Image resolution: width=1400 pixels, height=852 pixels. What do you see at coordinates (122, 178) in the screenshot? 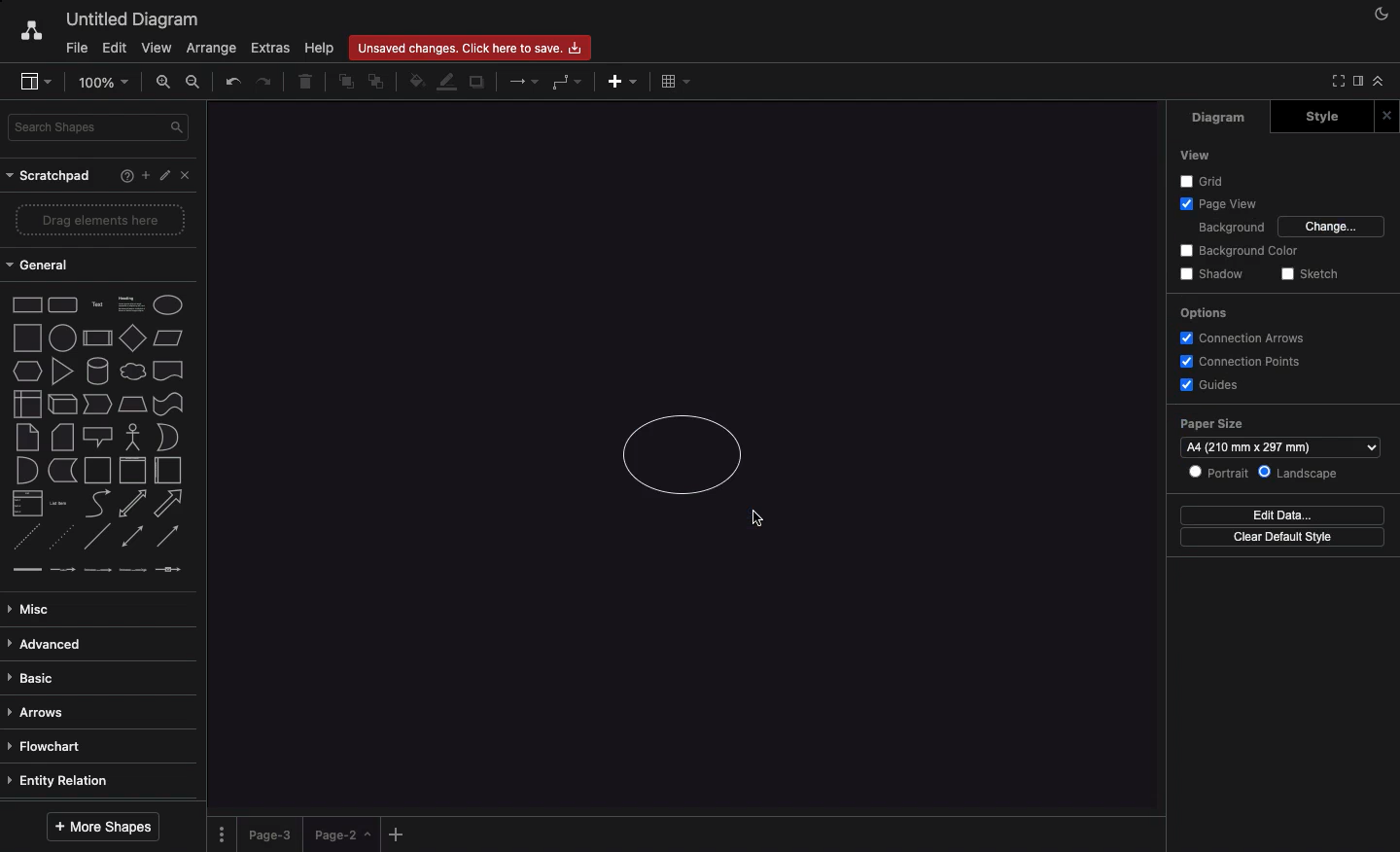
I see `Help` at bounding box center [122, 178].